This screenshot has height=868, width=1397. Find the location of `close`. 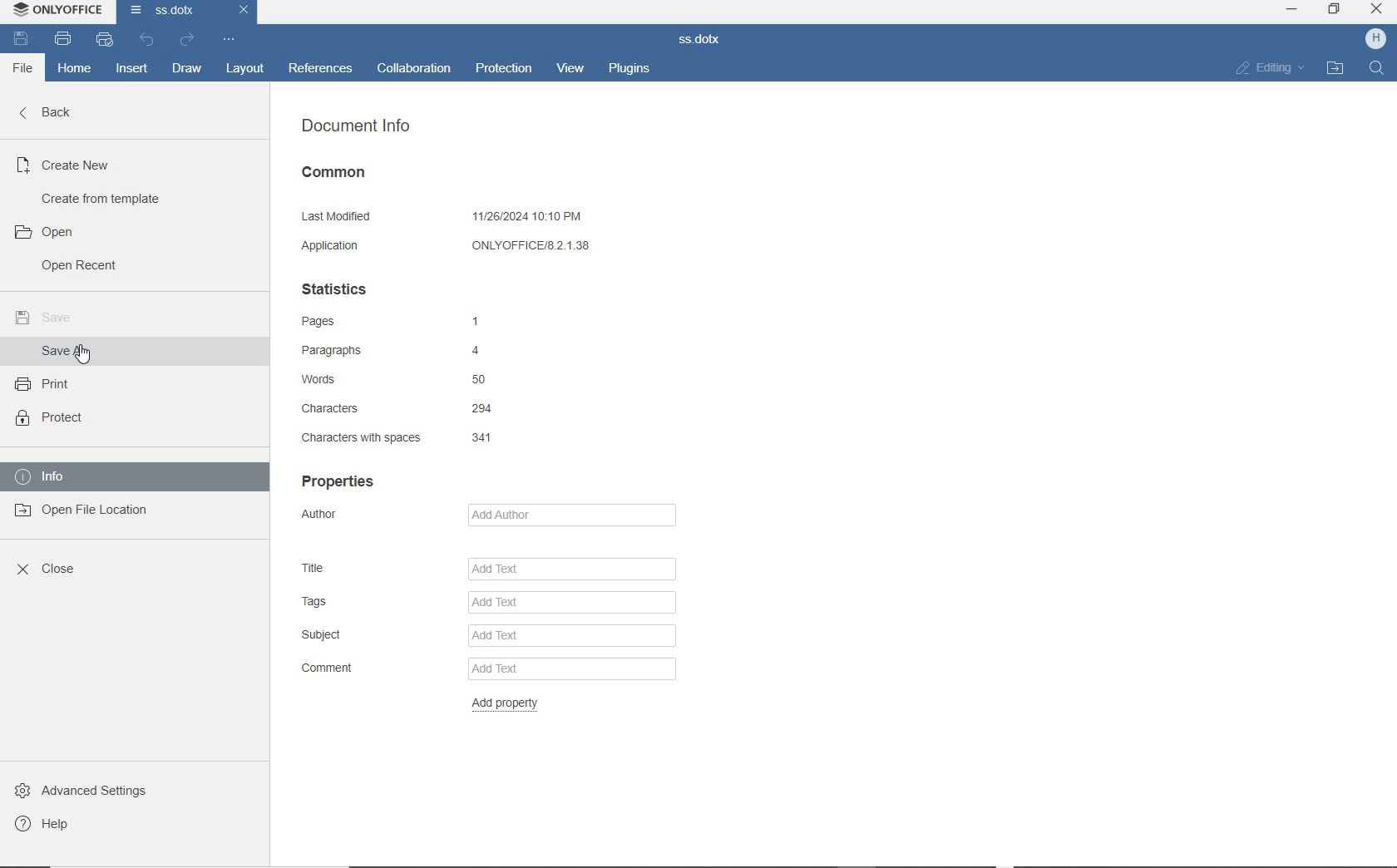

close is located at coordinates (1375, 8).